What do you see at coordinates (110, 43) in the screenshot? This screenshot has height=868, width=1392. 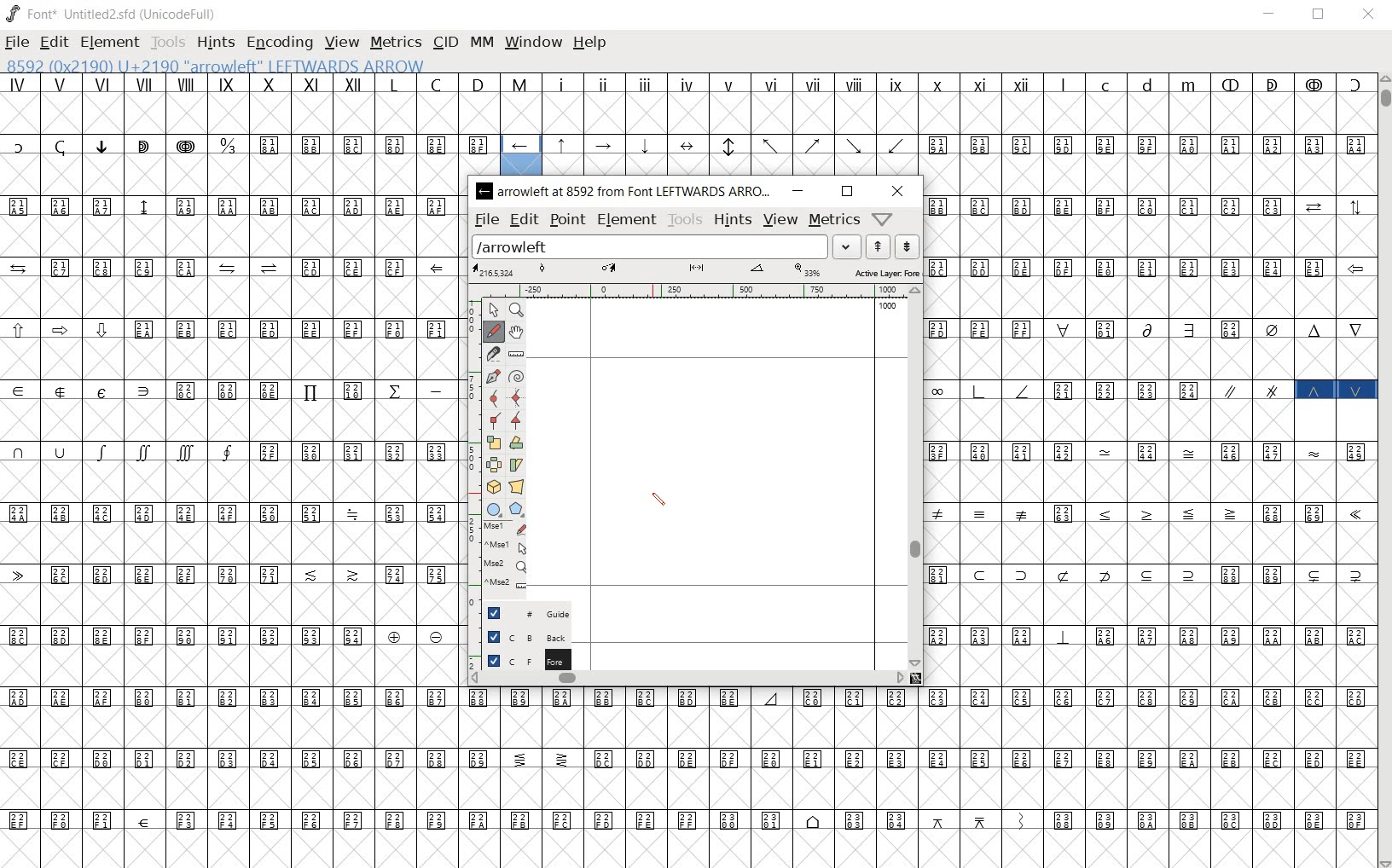 I see `Element` at bounding box center [110, 43].